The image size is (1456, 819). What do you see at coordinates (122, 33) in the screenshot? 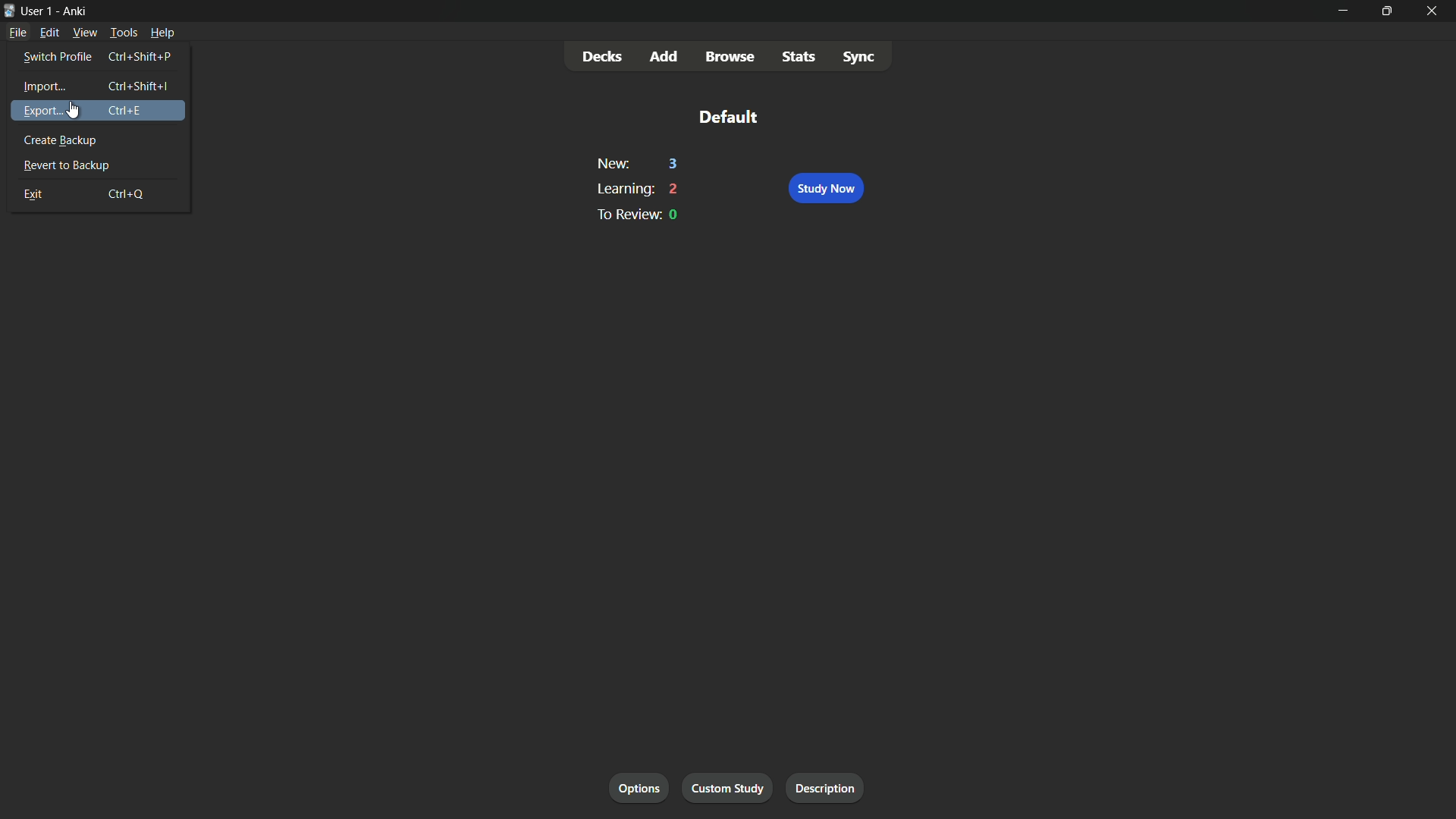
I see `tools menu` at bounding box center [122, 33].